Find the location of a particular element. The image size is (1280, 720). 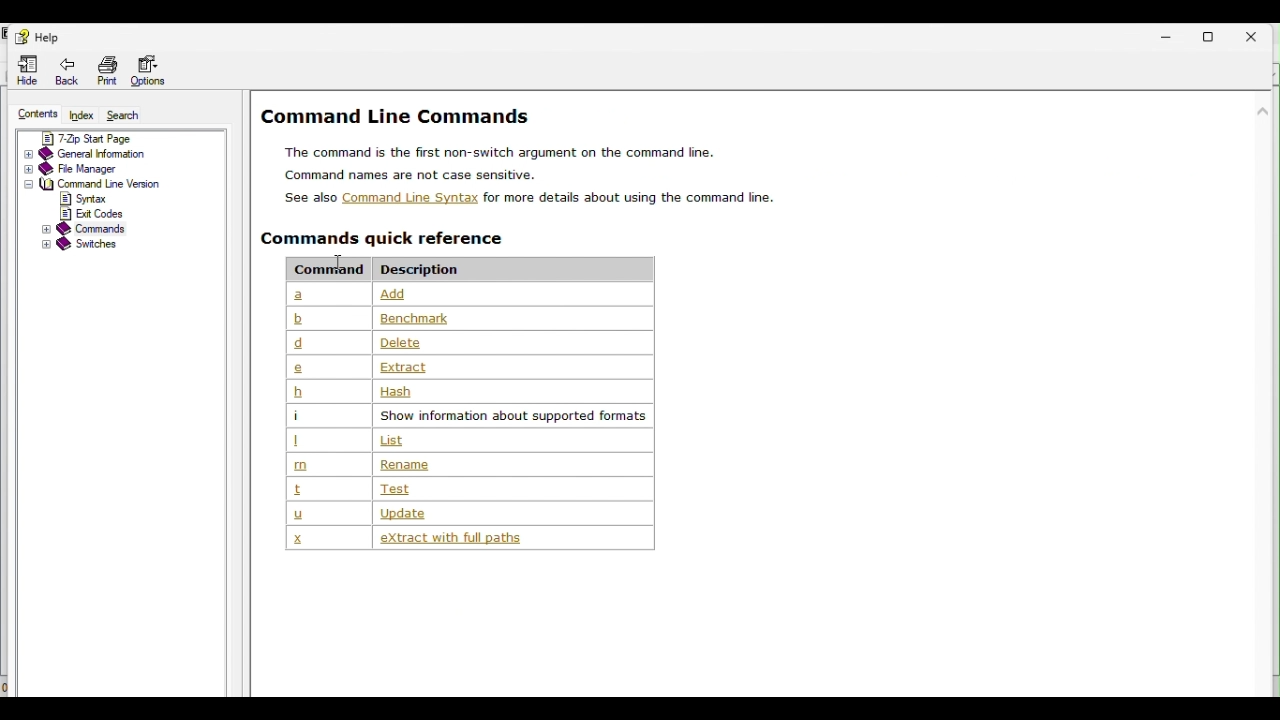

description is located at coordinates (393, 440).